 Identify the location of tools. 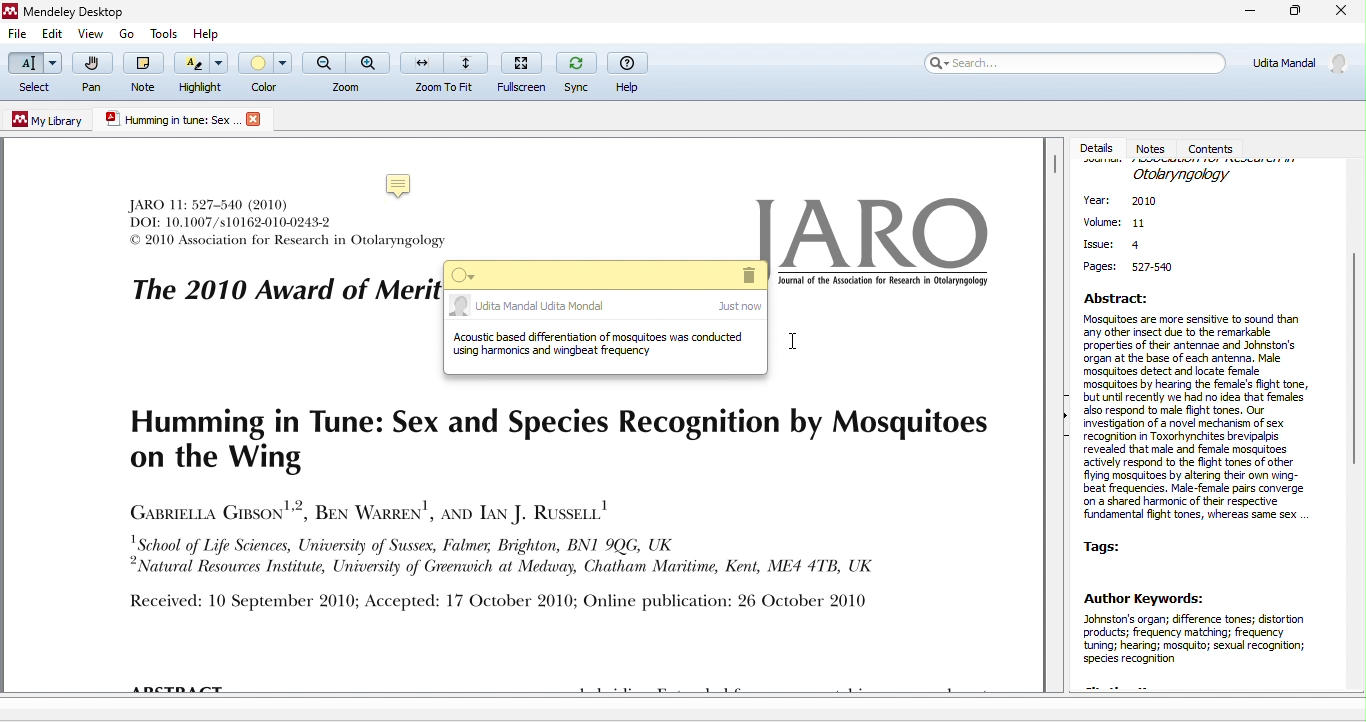
(167, 34).